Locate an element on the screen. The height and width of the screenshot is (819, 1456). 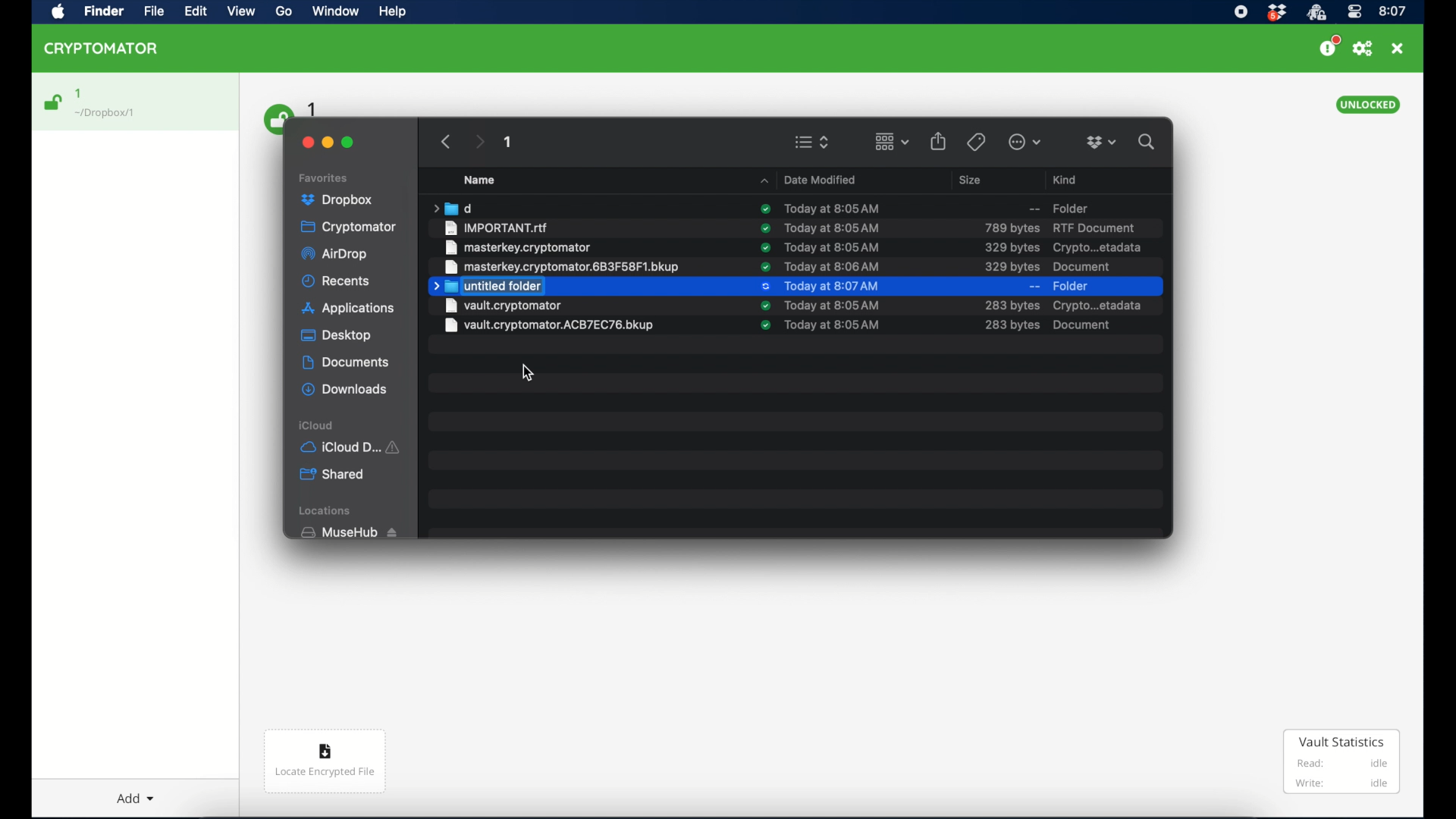
maximize is located at coordinates (349, 143).